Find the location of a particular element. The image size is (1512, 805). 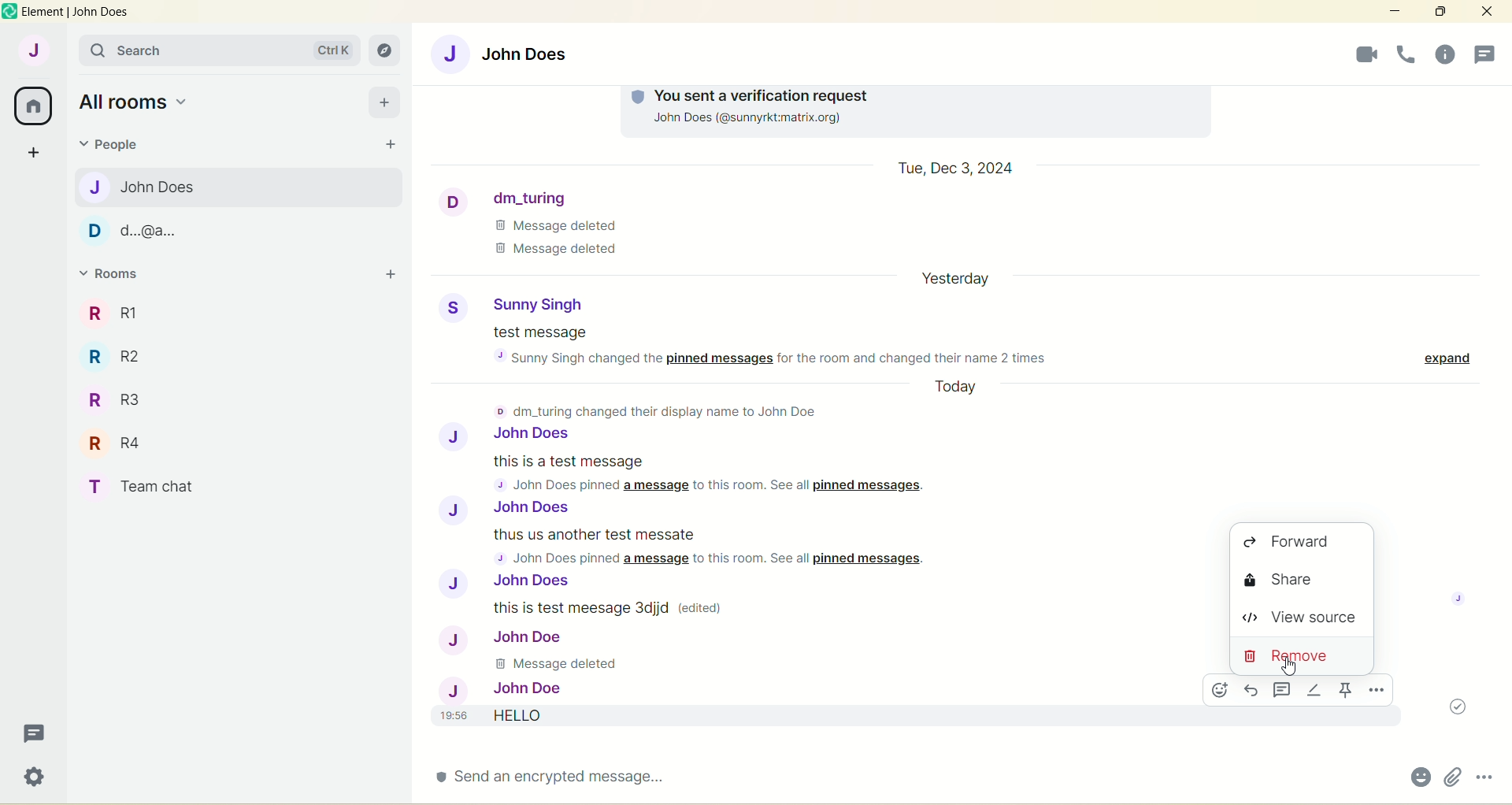

John Does is located at coordinates (512, 433).